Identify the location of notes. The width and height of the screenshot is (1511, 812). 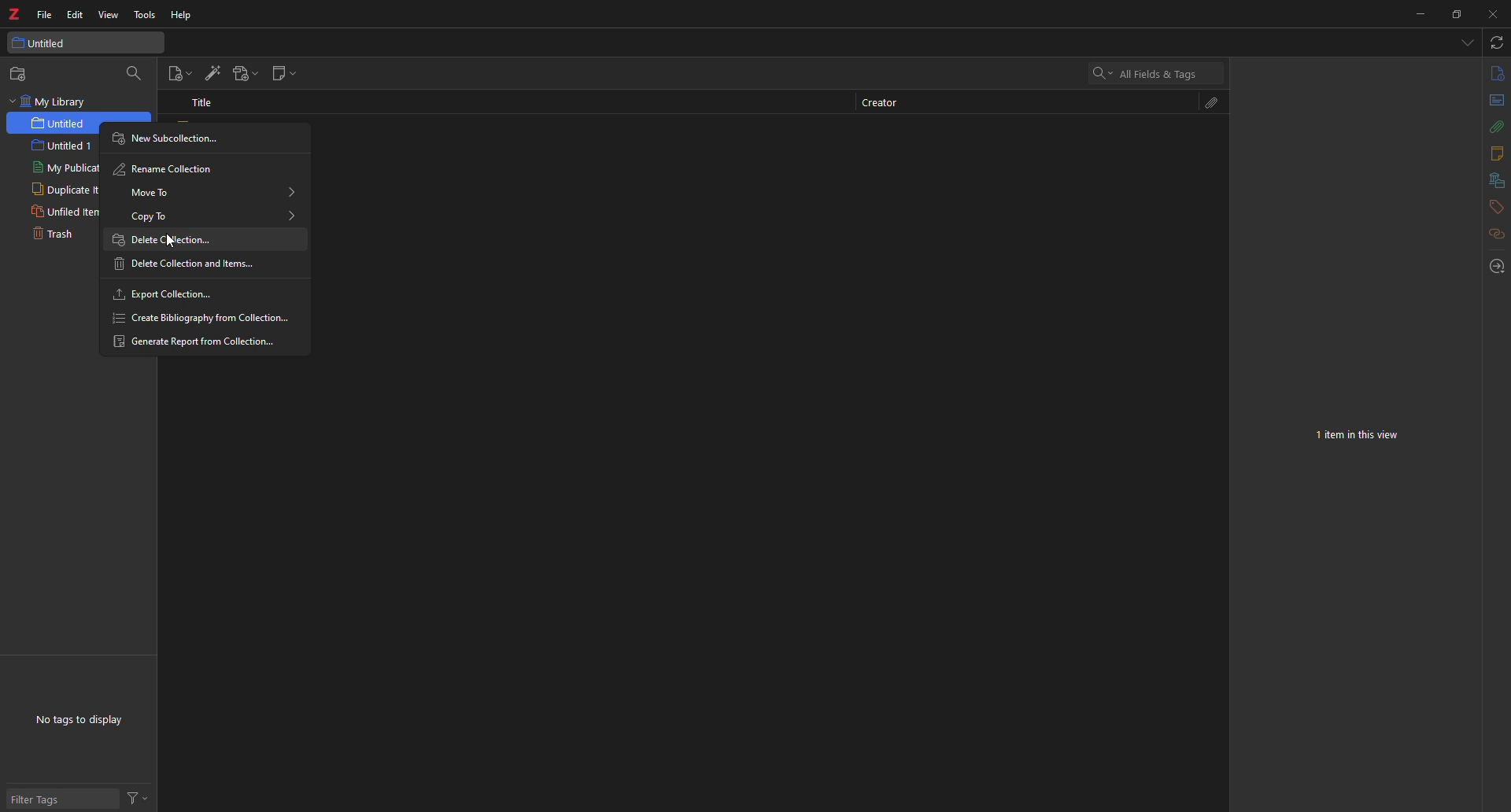
(1490, 154).